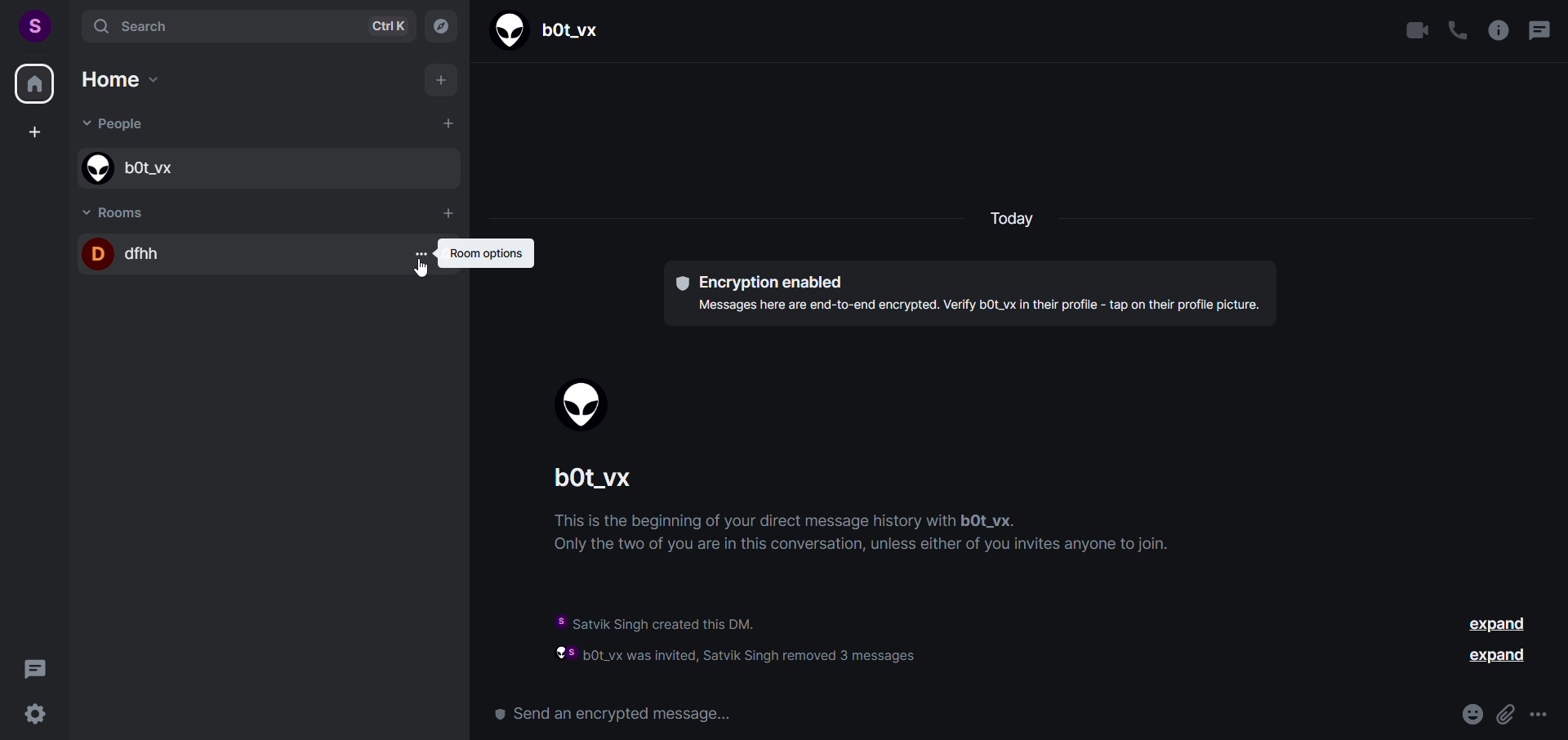 The image size is (1568, 740). Describe the element at coordinates (584, 407) in the screenshot. I see `display picture` at that location.